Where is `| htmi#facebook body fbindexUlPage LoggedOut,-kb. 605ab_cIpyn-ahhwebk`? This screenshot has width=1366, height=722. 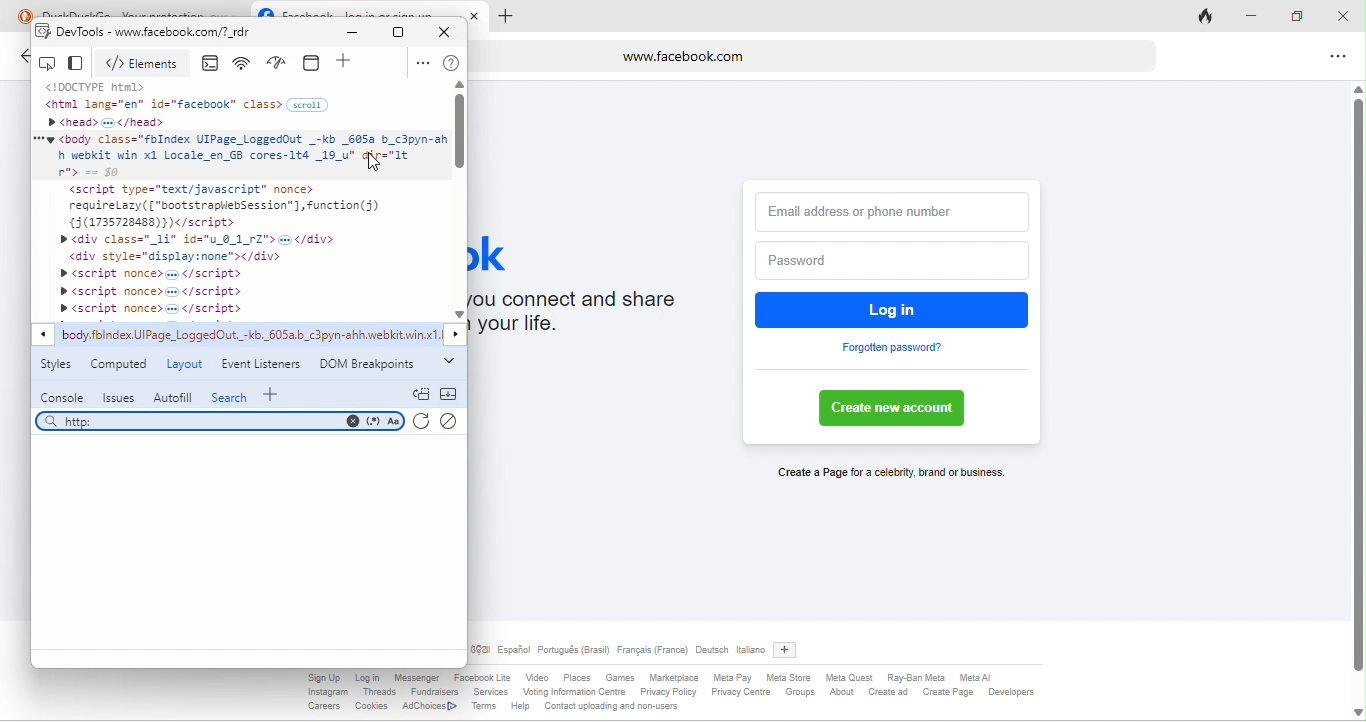 | htmi#facebook body fbindexUlPage LoggedOut,-kb. 605ab_cIpyn-ahhwebk is located at coordinates (251, 337).